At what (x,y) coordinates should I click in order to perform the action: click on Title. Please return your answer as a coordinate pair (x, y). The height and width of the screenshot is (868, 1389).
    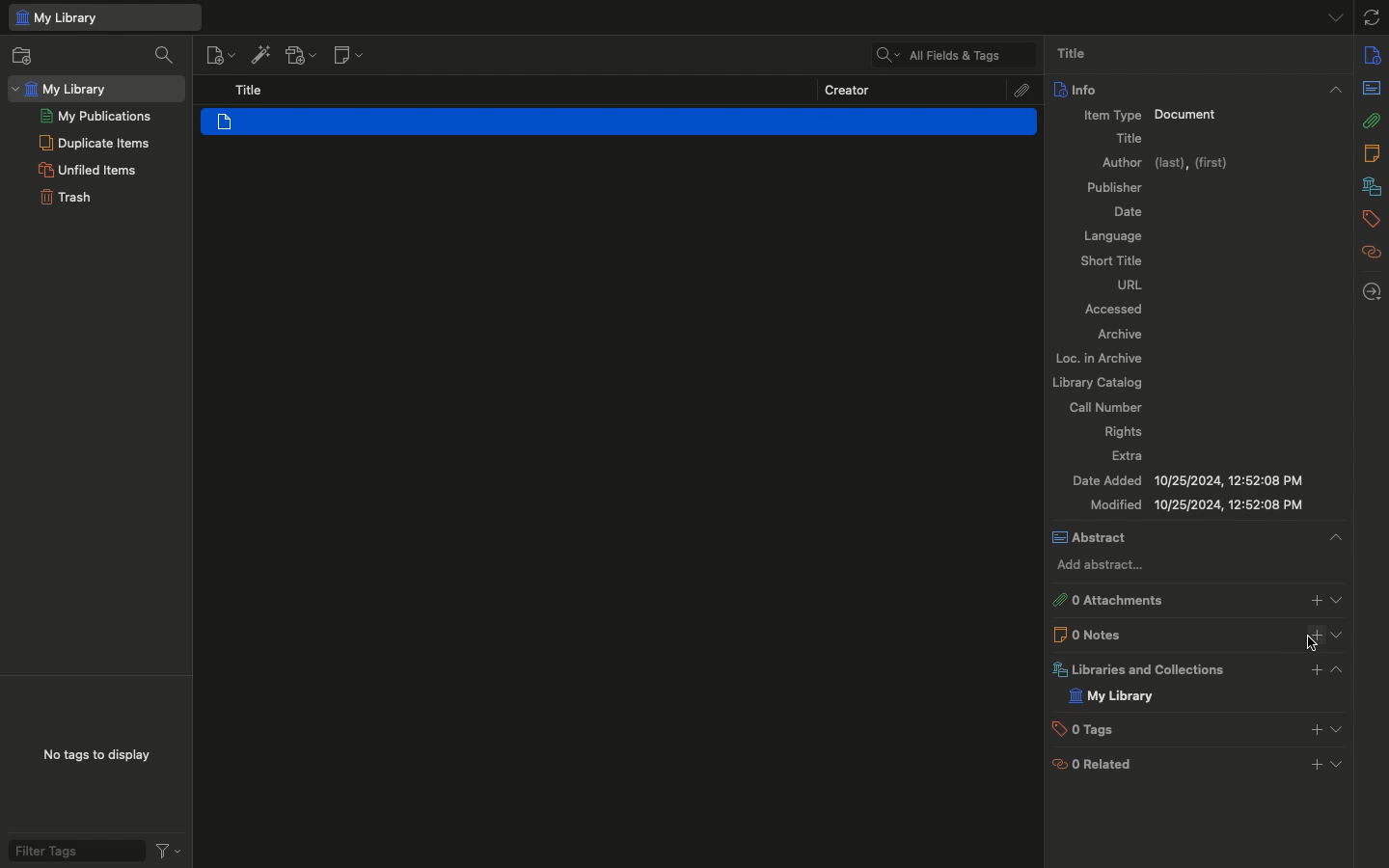
    Looking at the image, I should click on (249, 90).